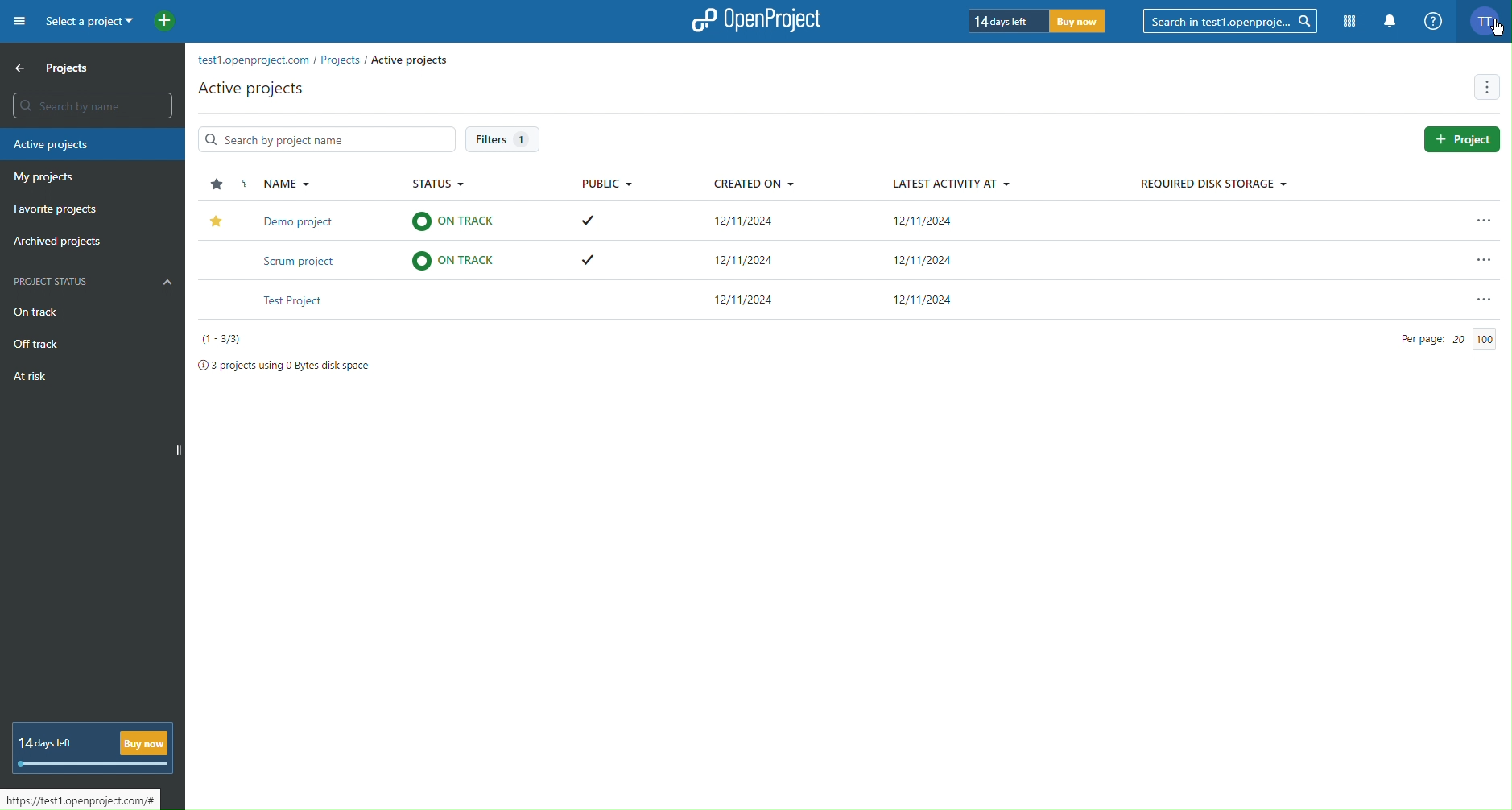  What do you see at coordinates (593, 262) in the screenshot?
I see `Tick` at bounding box center [593, 262].